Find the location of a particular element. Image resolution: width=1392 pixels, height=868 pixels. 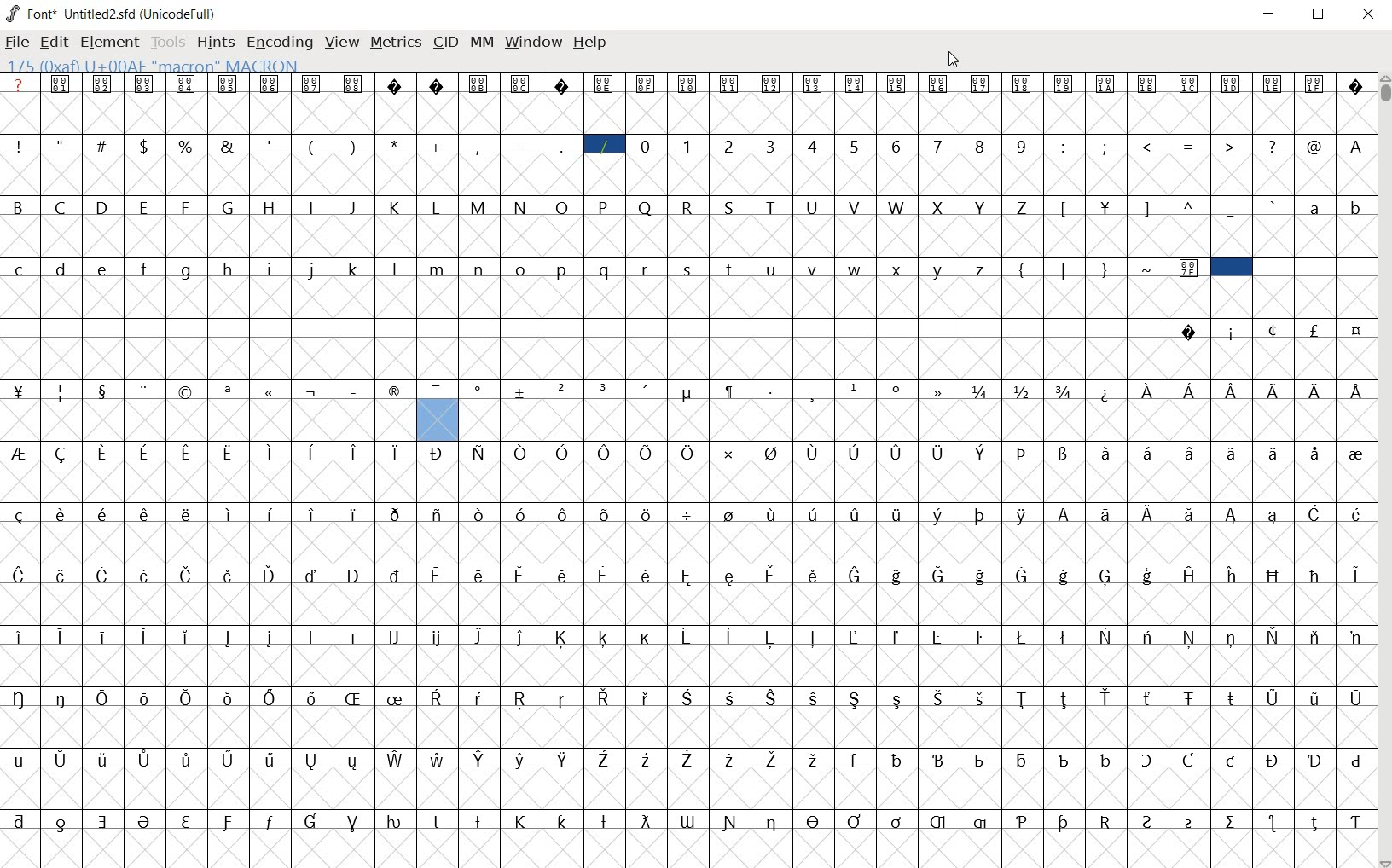

Symbol is located at coordinates (104, 453).